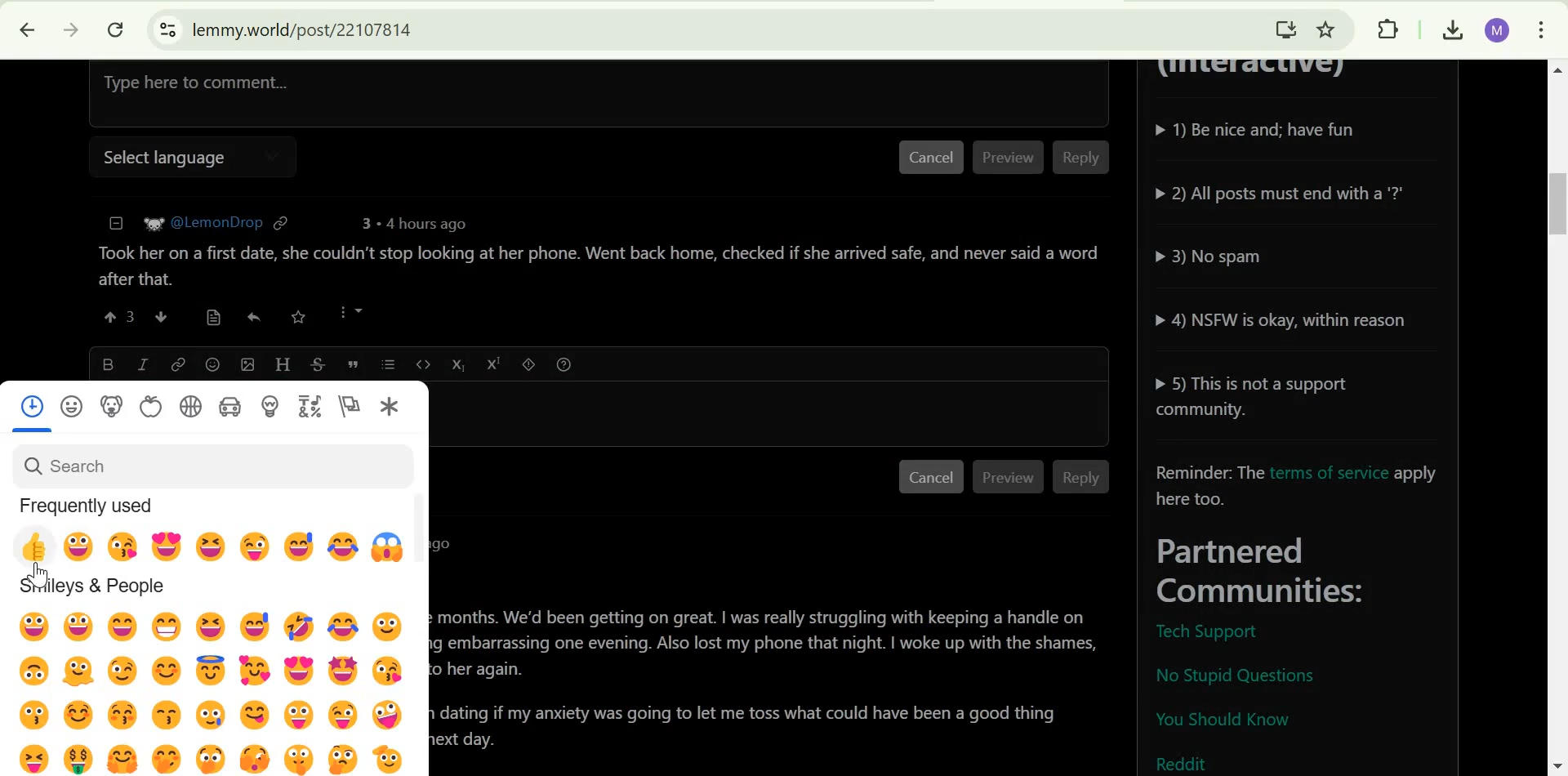  What do you see at coordinates (388, 364) in the screenshot?
I see `list` at bounding box center [388, 364].